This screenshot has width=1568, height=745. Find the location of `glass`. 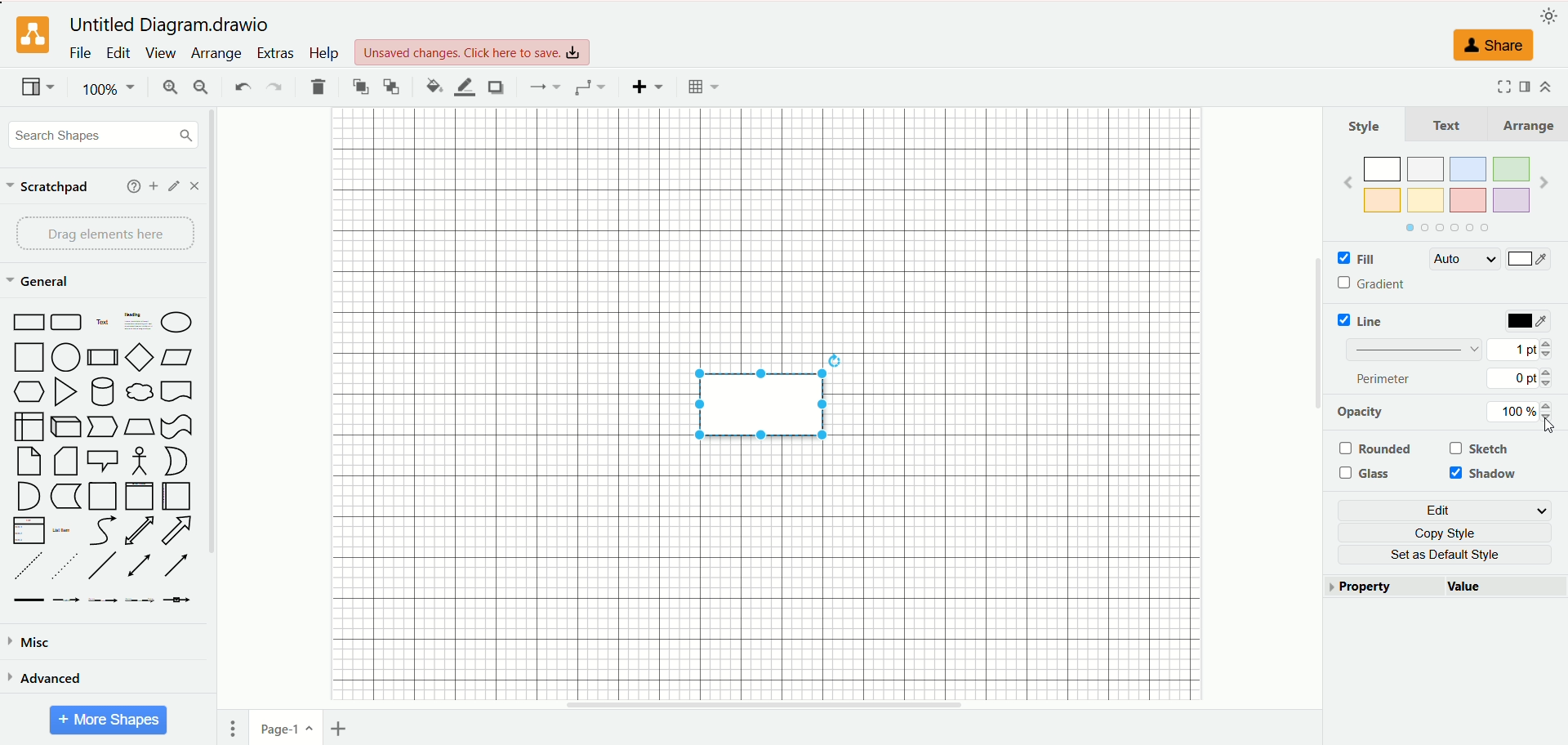

glass is located at coordinates (1369, 474).